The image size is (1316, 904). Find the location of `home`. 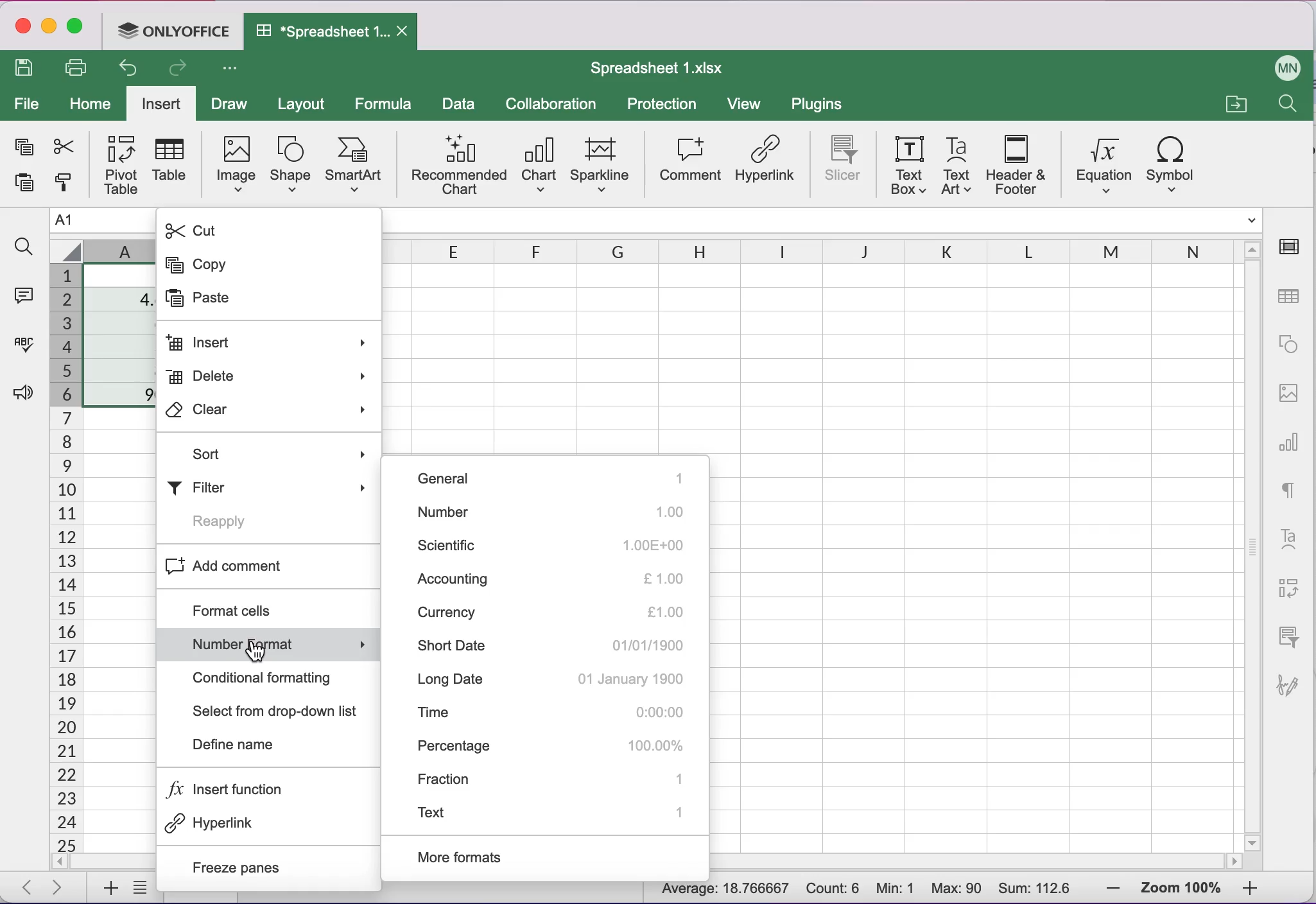

home is located at coordinates (92, 104).